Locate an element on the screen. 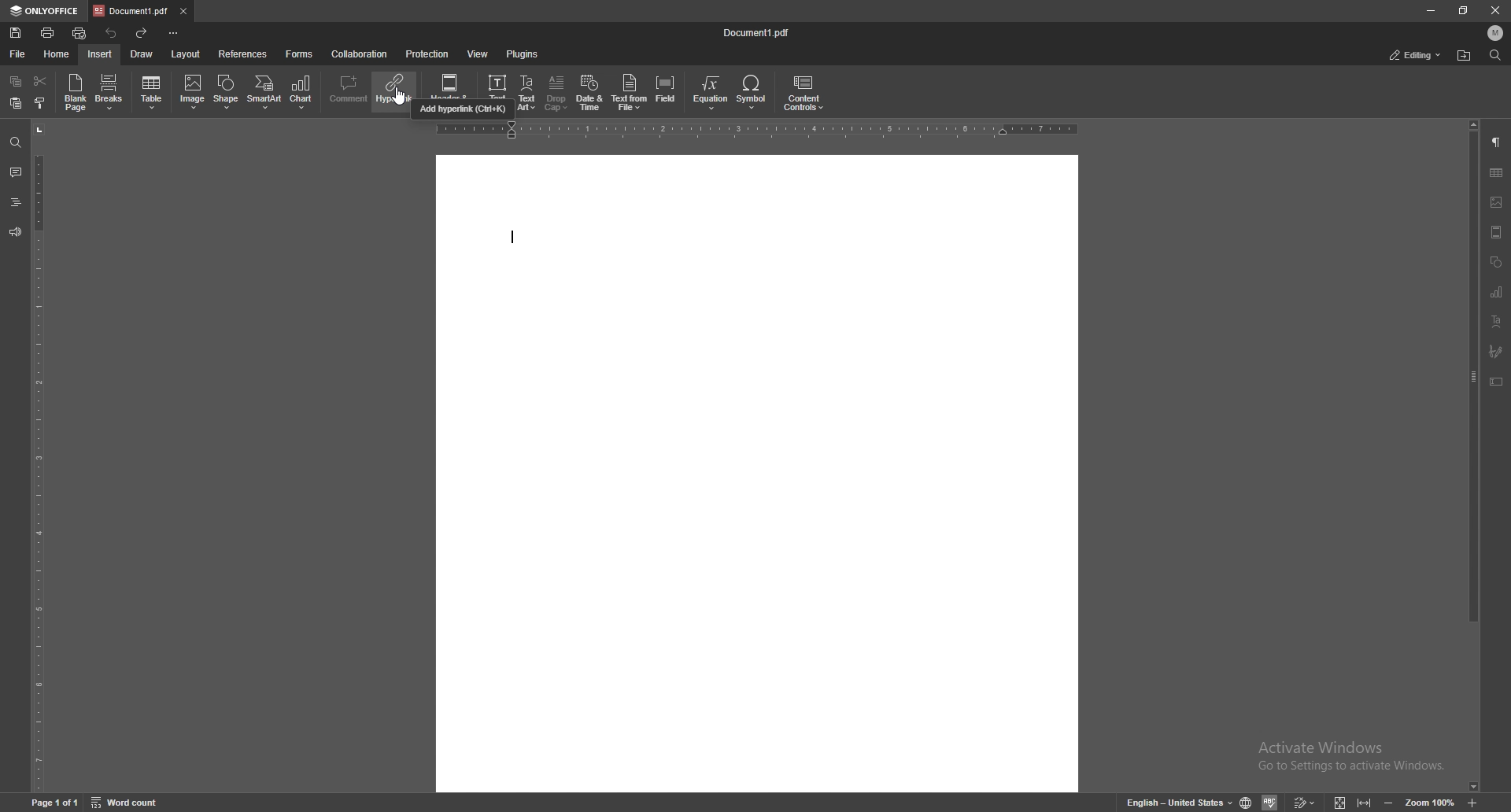  field is located at coordinates (666, 92).